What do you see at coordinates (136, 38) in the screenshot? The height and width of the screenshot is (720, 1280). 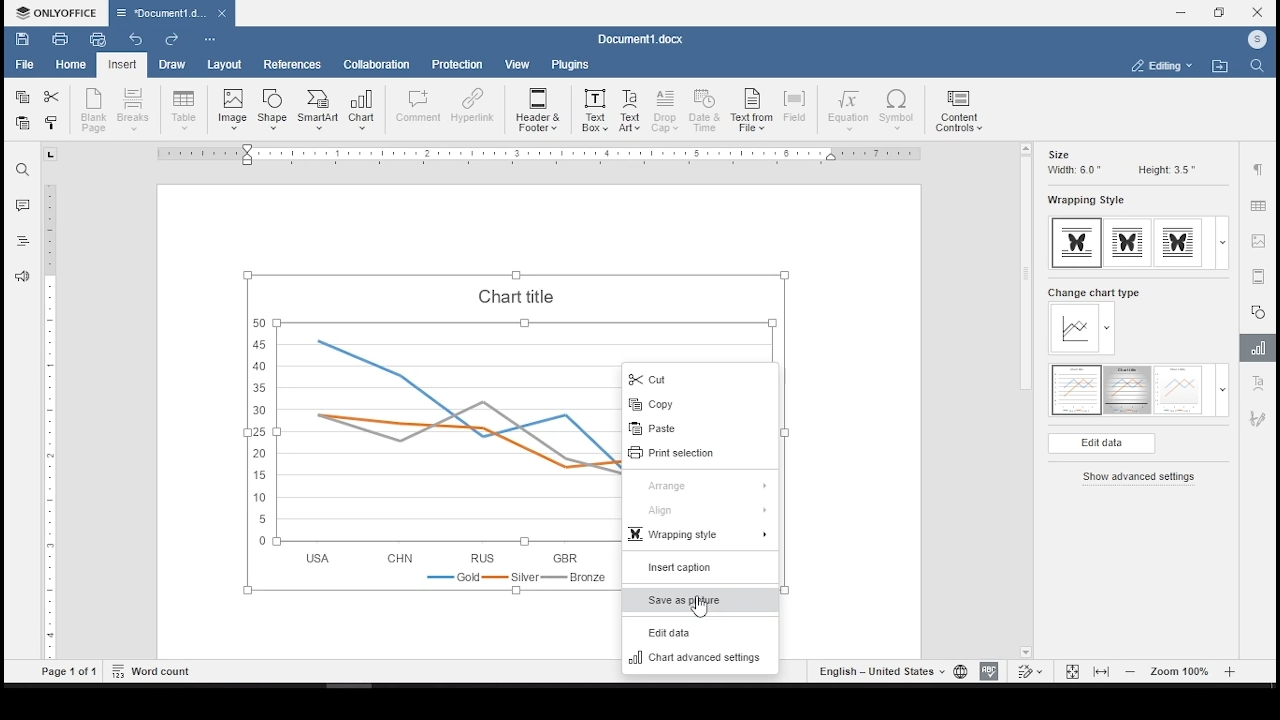 I see `undo` at bounding box center [136, 38].